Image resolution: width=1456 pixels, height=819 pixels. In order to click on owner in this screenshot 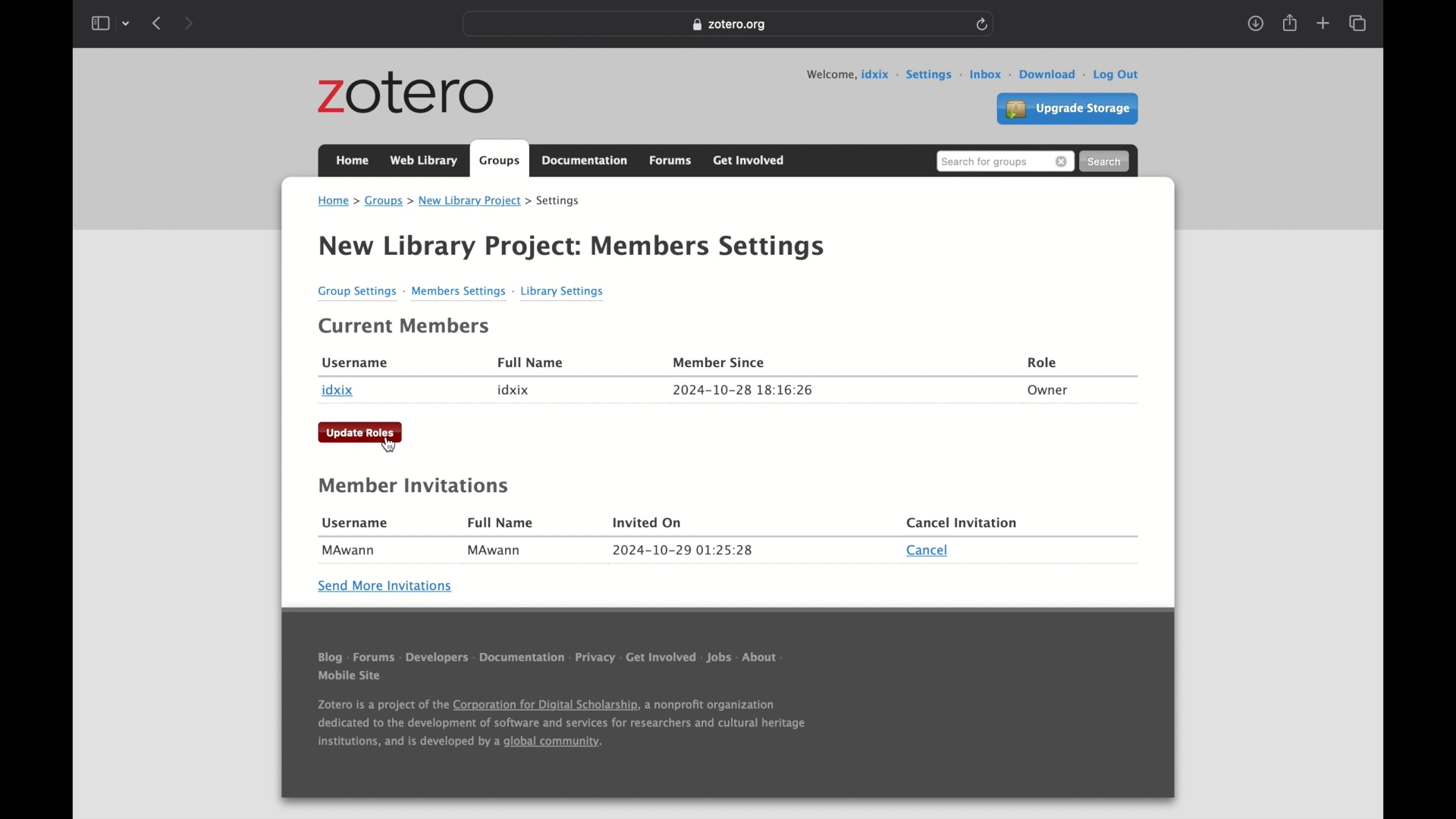, I will do `click(1047, 391)`.